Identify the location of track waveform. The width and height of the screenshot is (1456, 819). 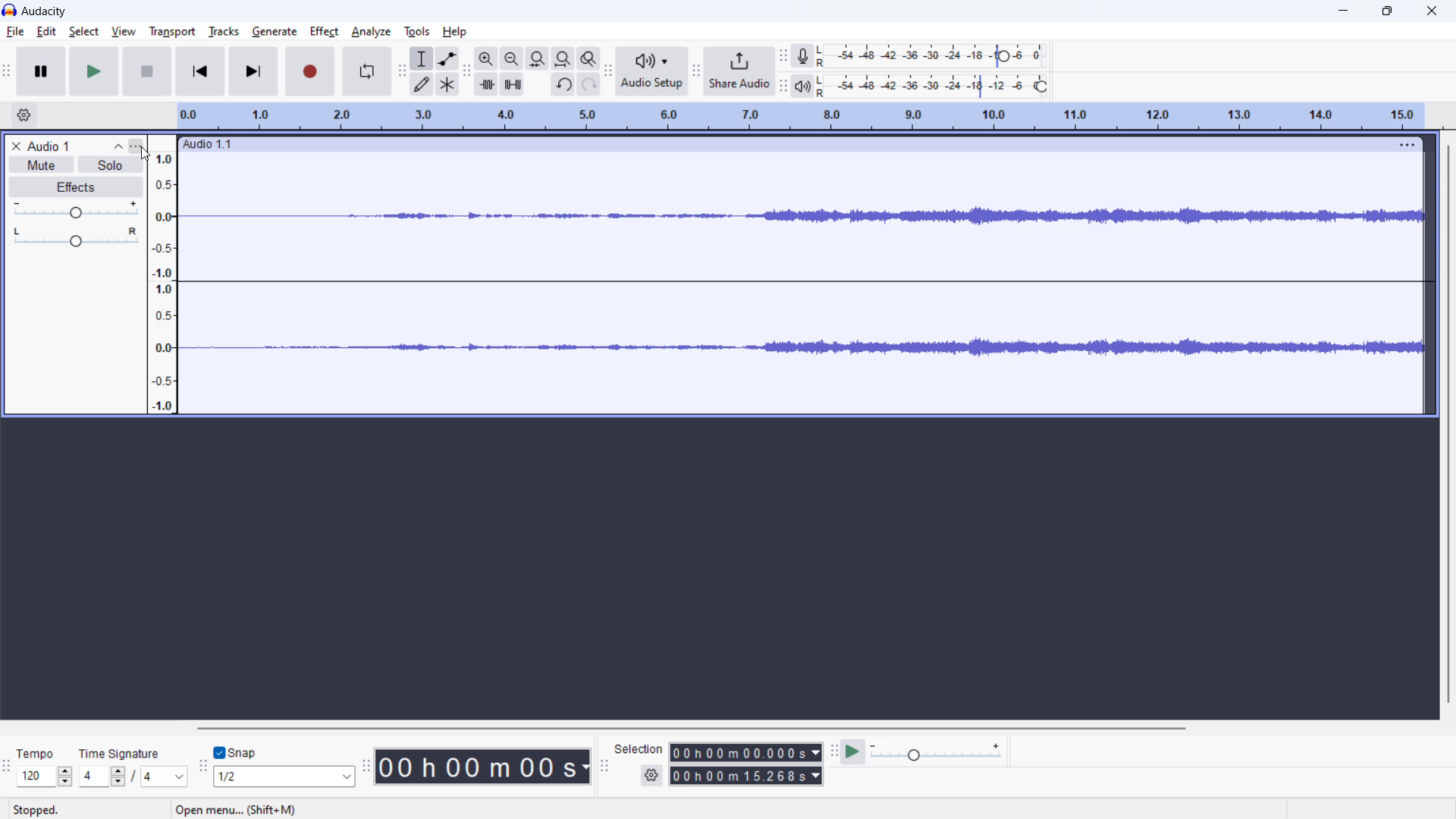
(803, 215).